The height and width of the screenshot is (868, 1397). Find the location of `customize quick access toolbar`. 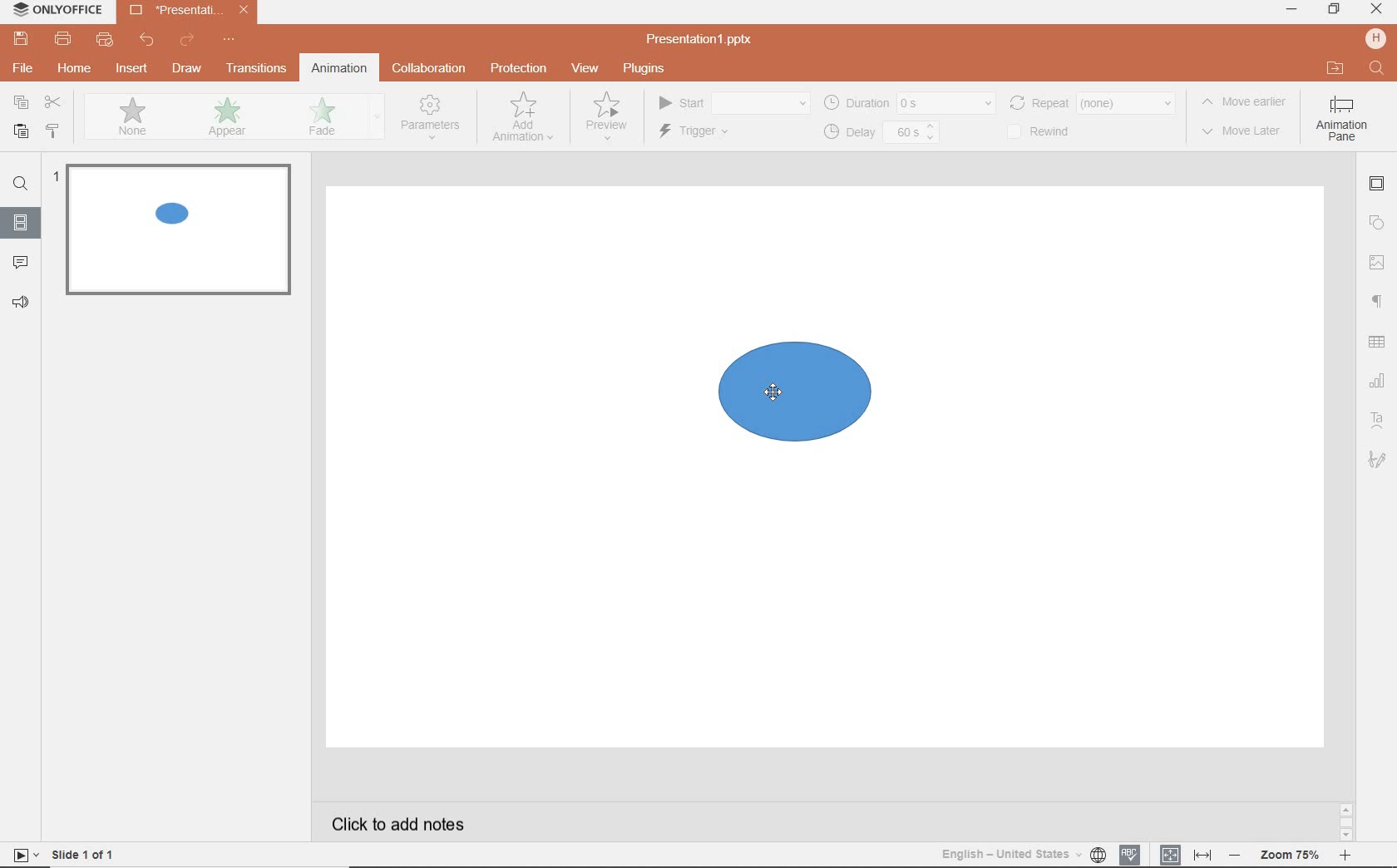

customize quick access toolbar is located at coordinates (230, 41).